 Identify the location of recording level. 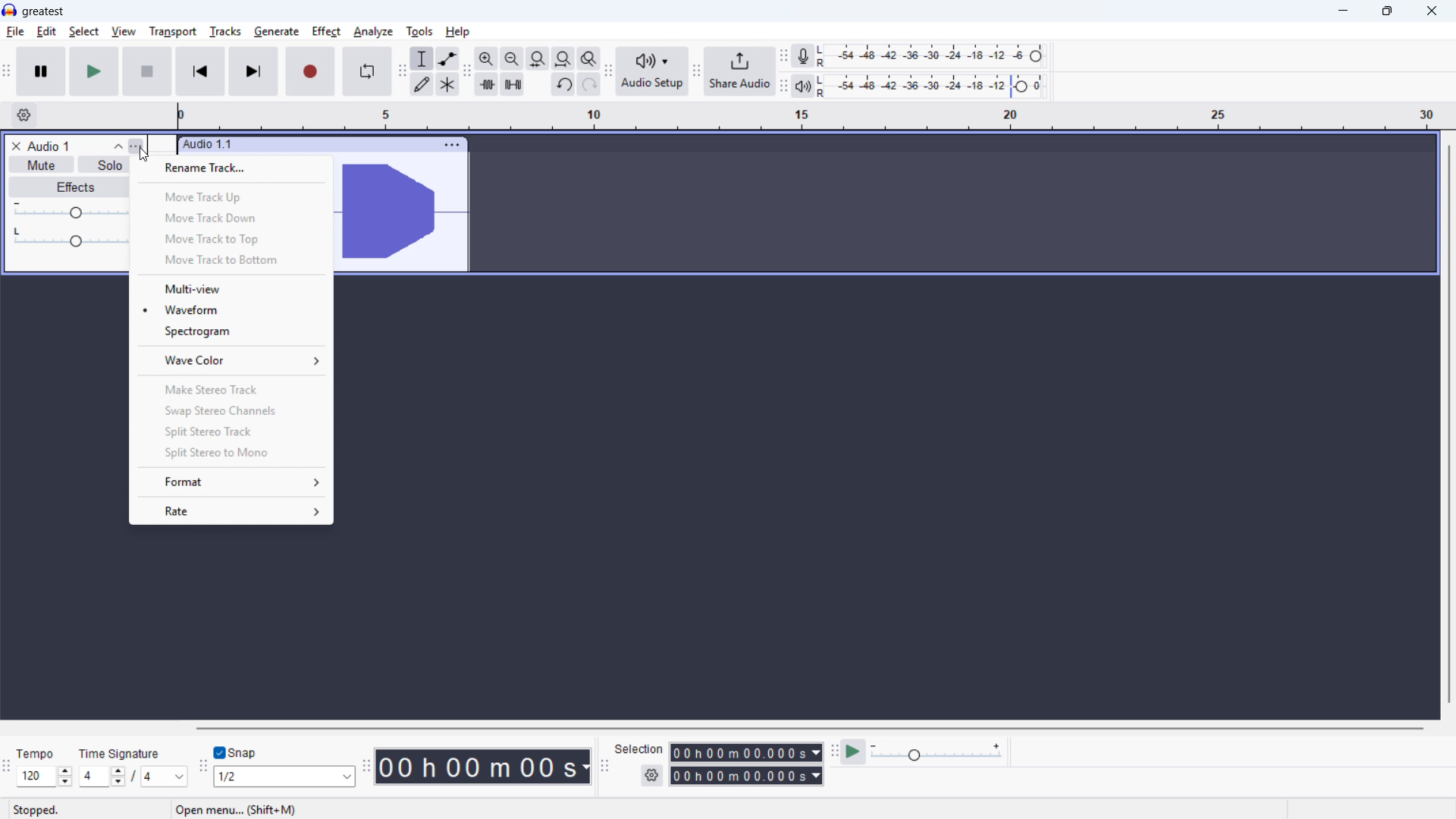
(934, 56).